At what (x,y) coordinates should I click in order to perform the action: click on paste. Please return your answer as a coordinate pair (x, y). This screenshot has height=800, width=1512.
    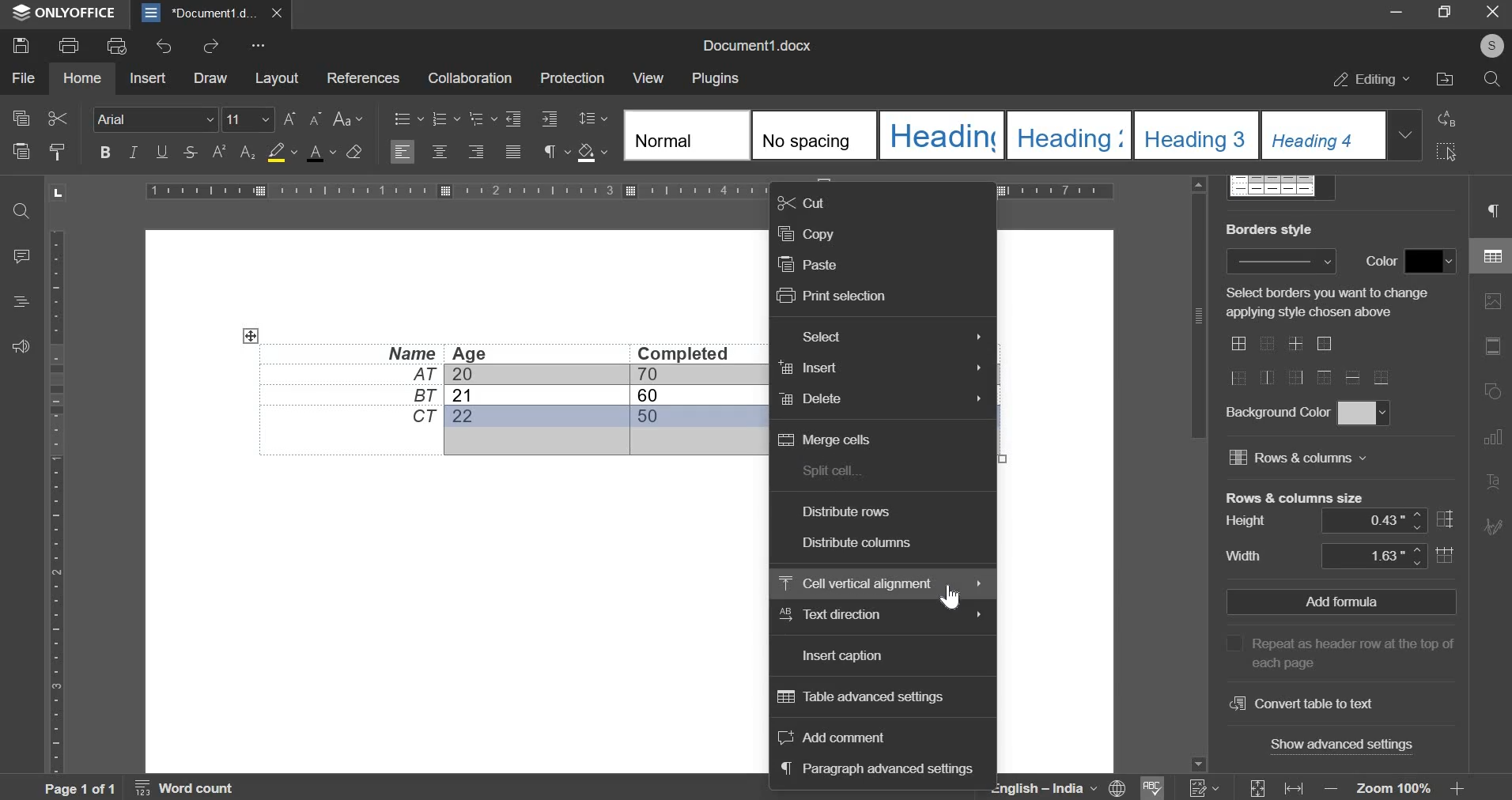
    Looking at the image, I should click on (808, 264).